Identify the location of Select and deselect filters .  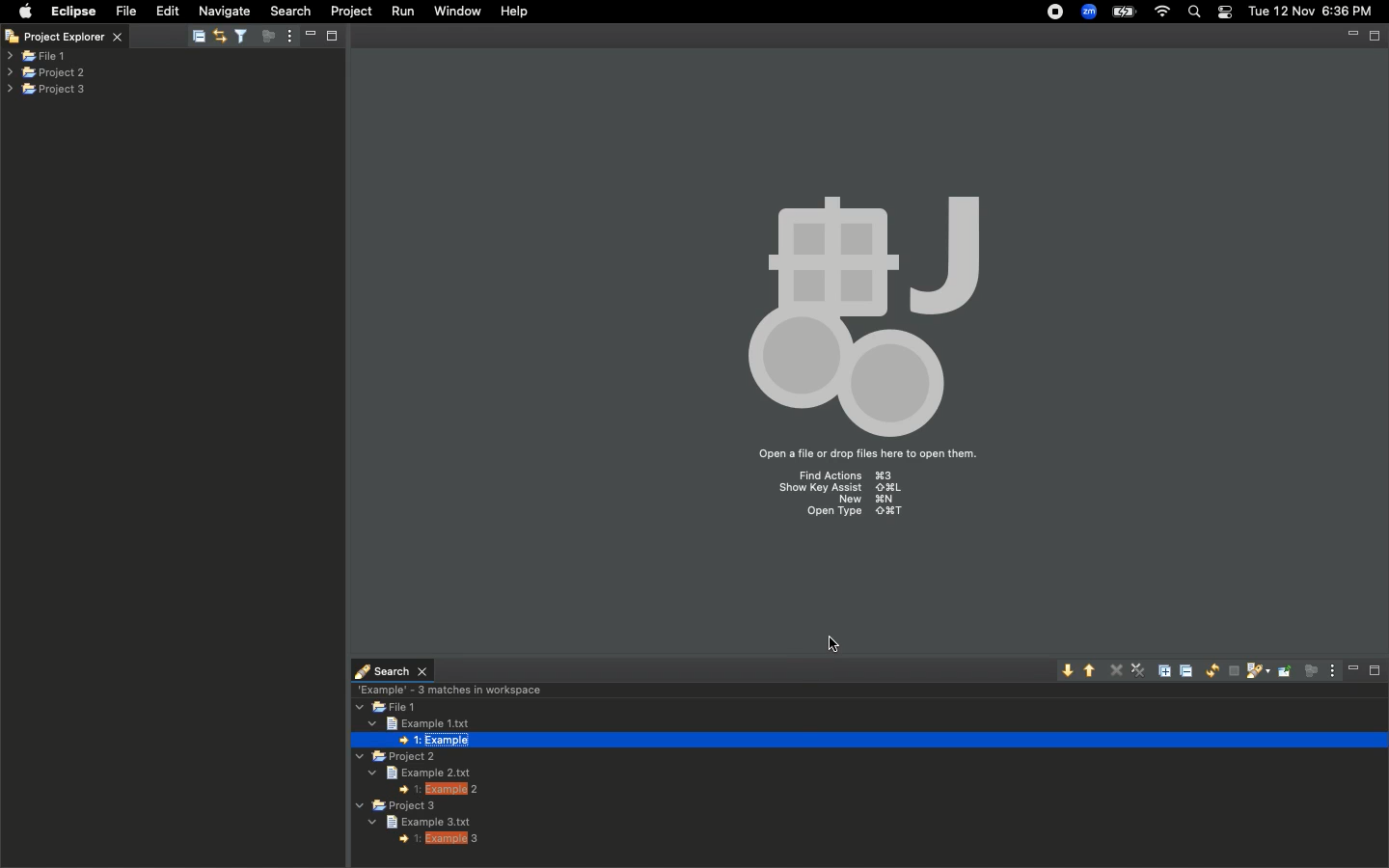
(245, 34).